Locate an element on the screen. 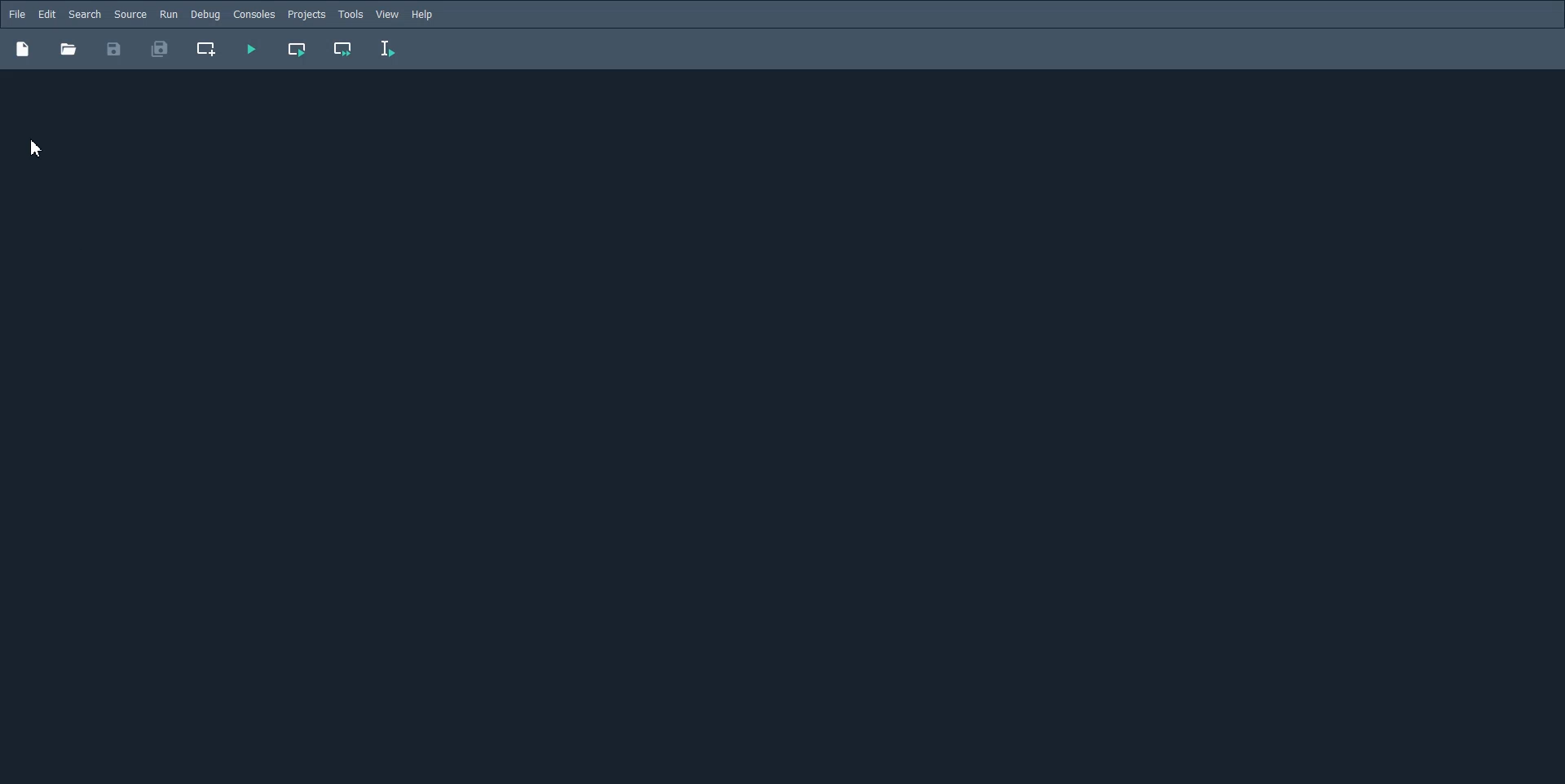 The height and width of the screenshot is (784, 1565). Run is located at coordinates (169, 14).